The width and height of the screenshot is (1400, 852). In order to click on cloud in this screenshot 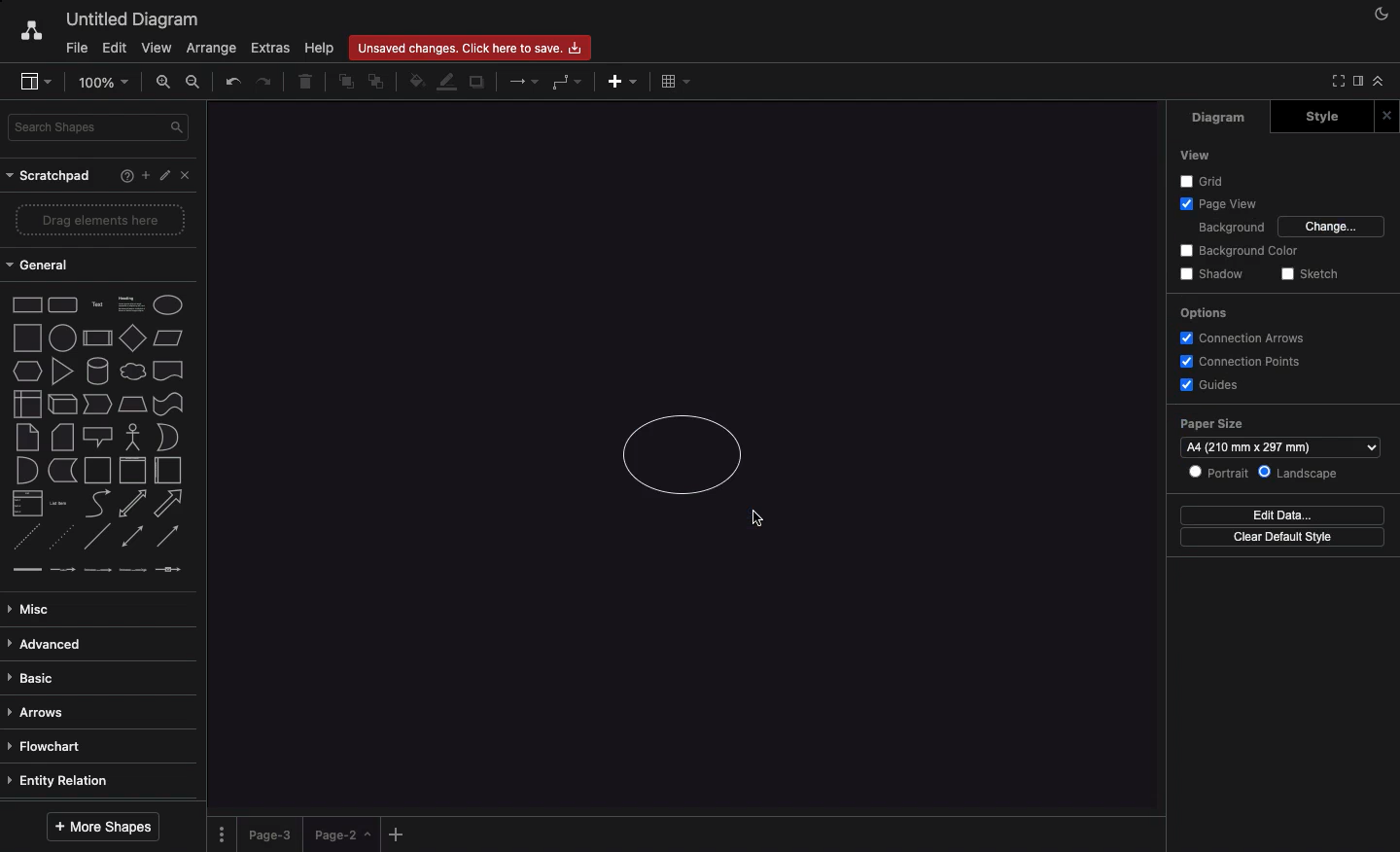, I will do `click(133, 372)`.